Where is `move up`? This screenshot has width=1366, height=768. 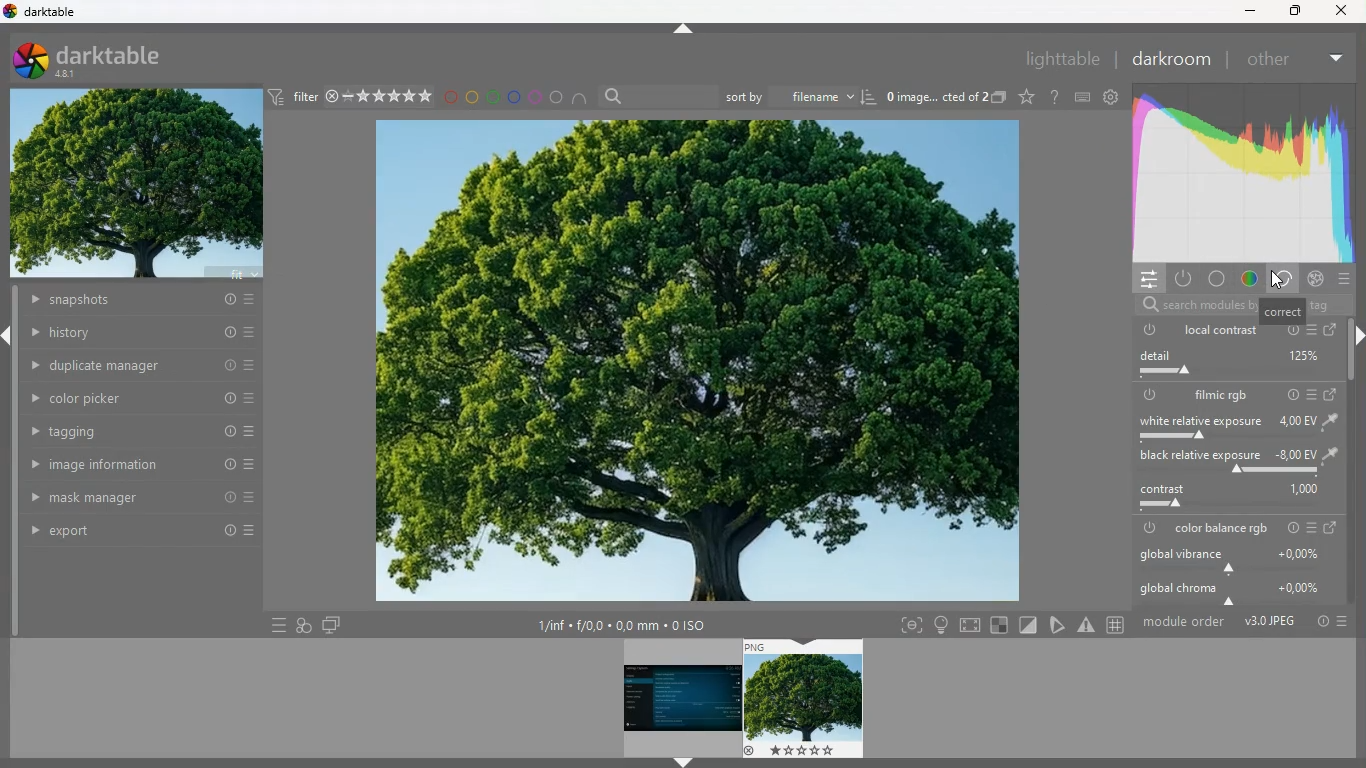
move up is located at coordinates (688, 31).